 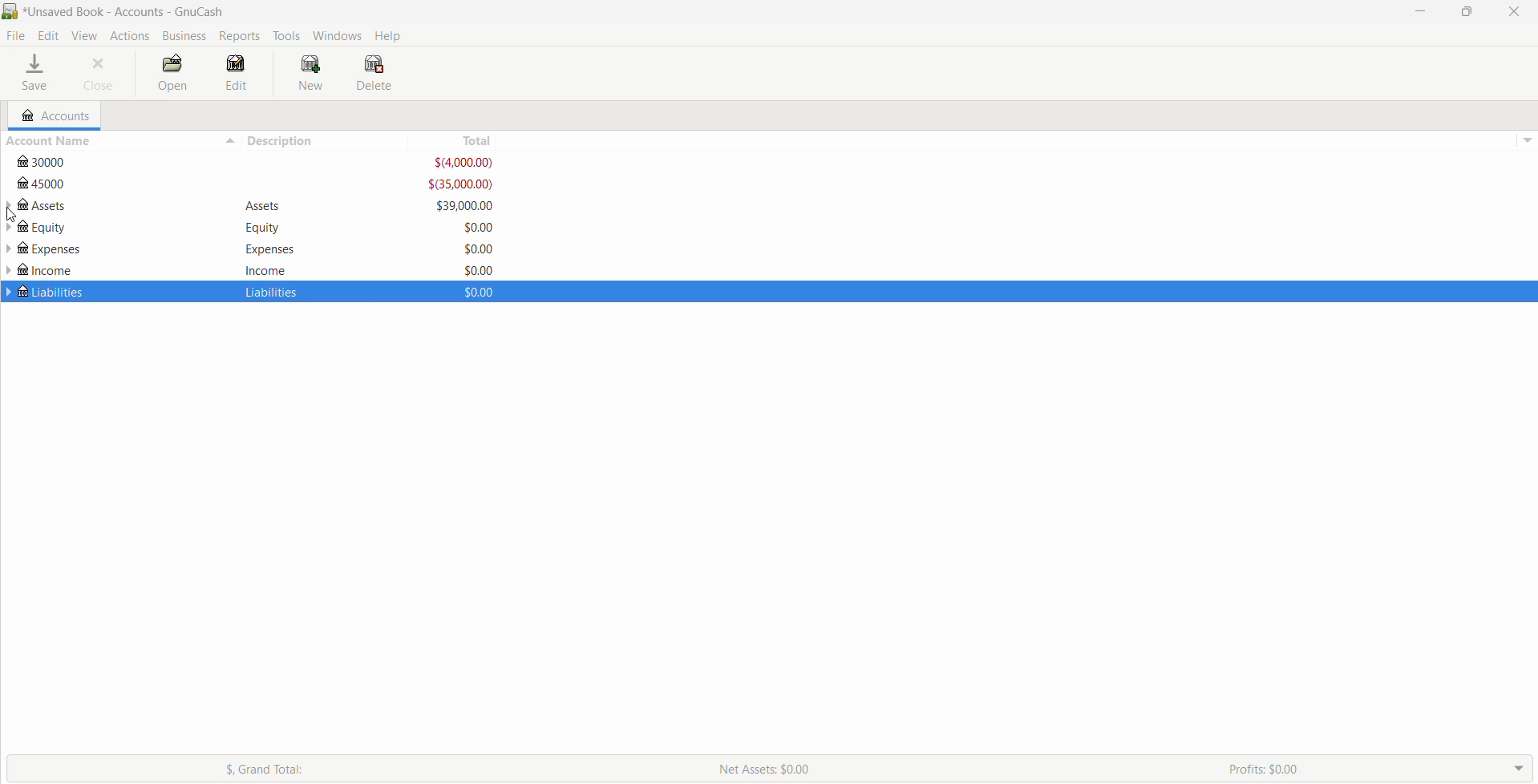 What do you see at coordinates (118, 227) in the screenshot?
I see `Equity` at bounding box center [118, 227].